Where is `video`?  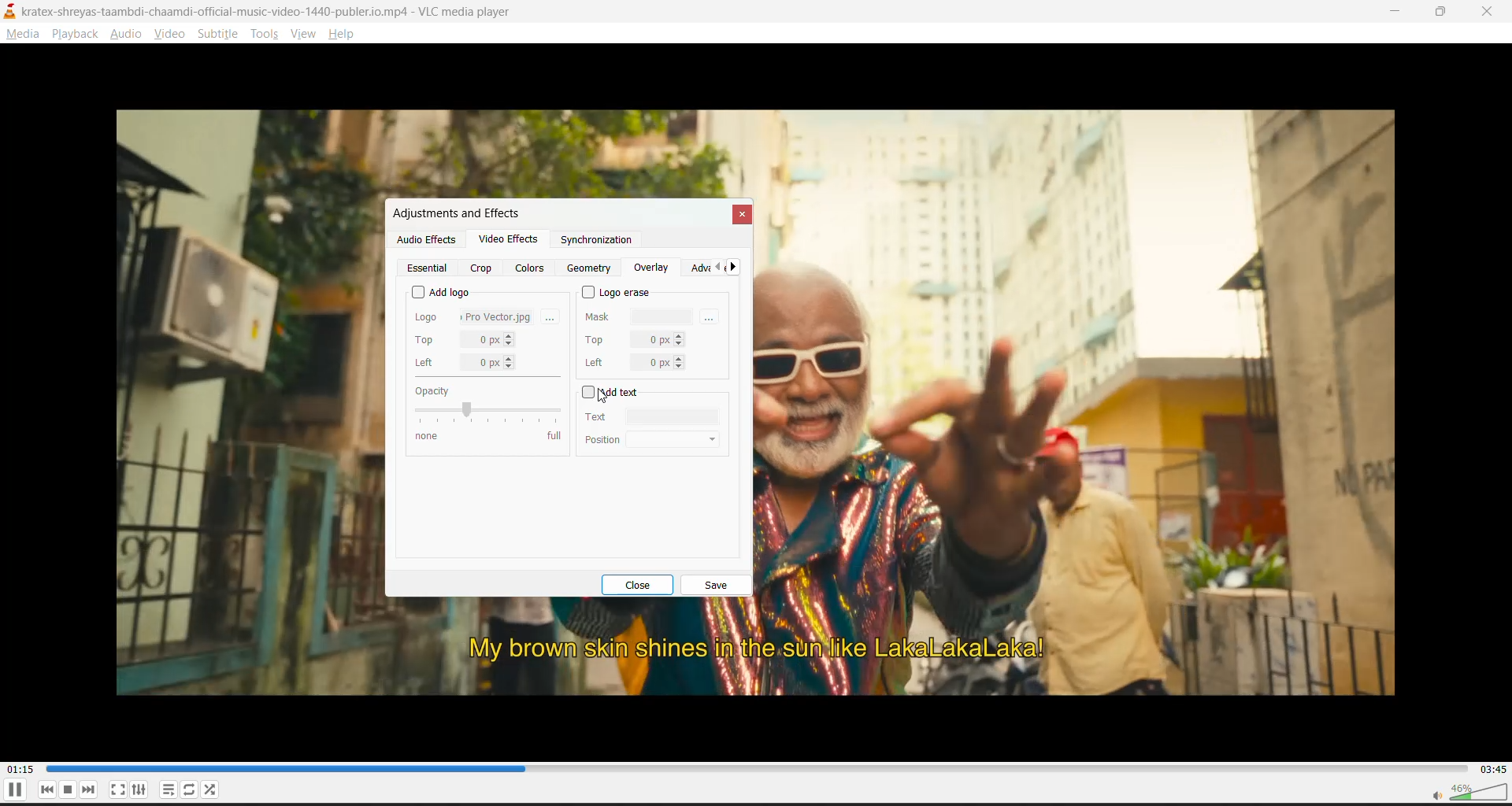 video is located at coordinates (172, 36).